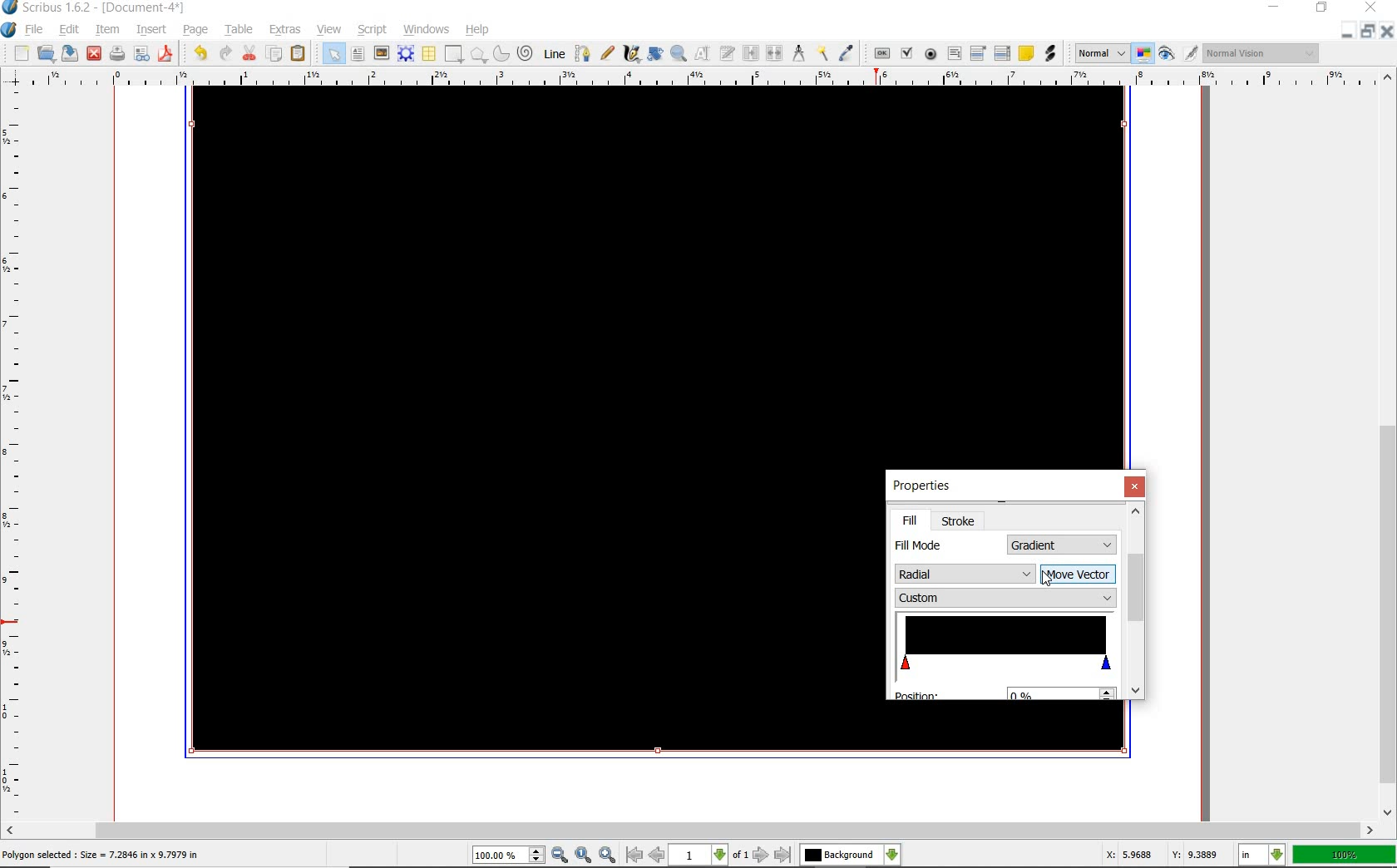 This screenshot has height=868, width=1397. What do you see at coordinates (748, 52) in the screenshot?
I see `link text frames` at bounding box center [748, 52].